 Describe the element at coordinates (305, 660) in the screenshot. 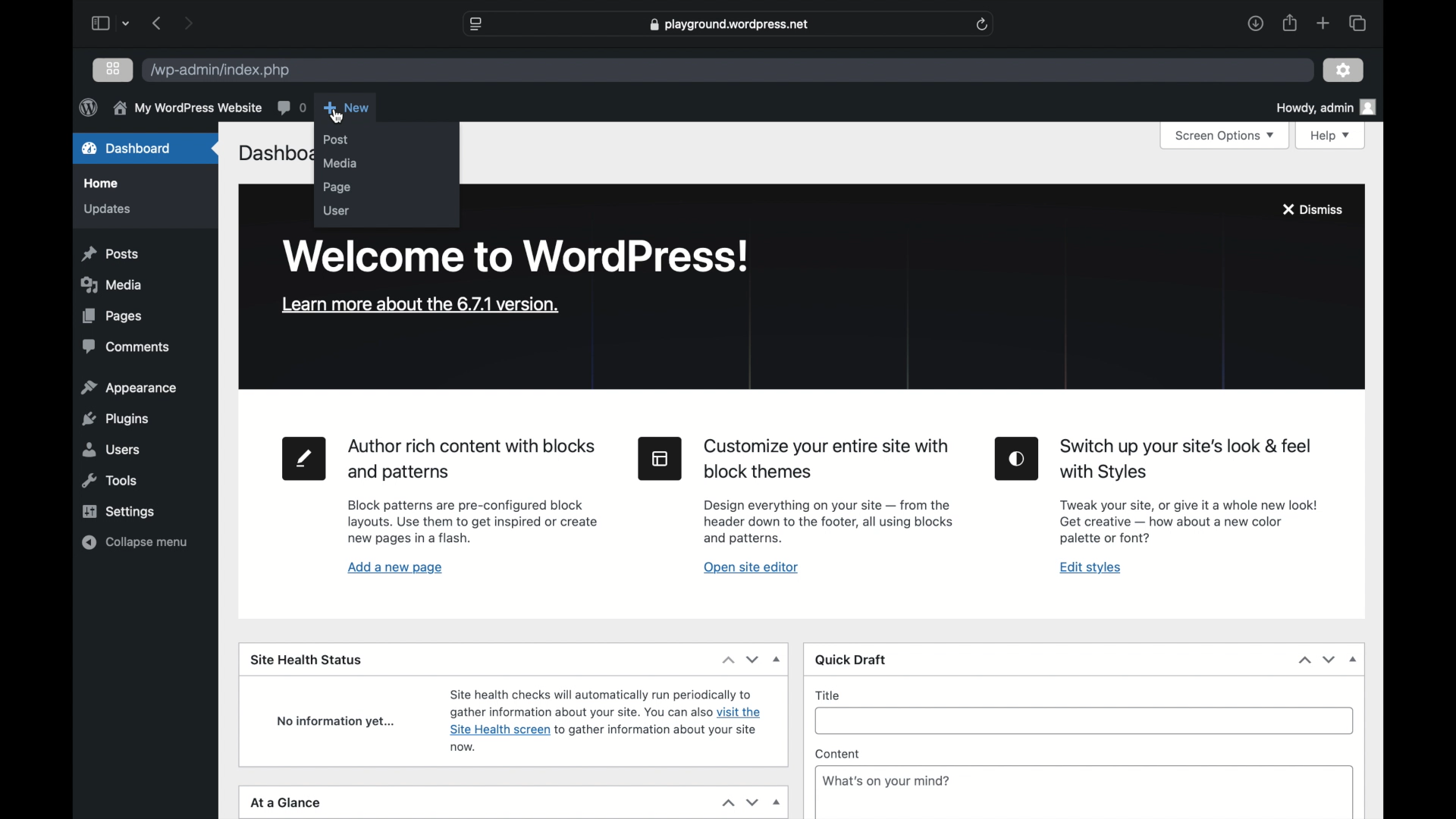

I see `site health status` at that location.